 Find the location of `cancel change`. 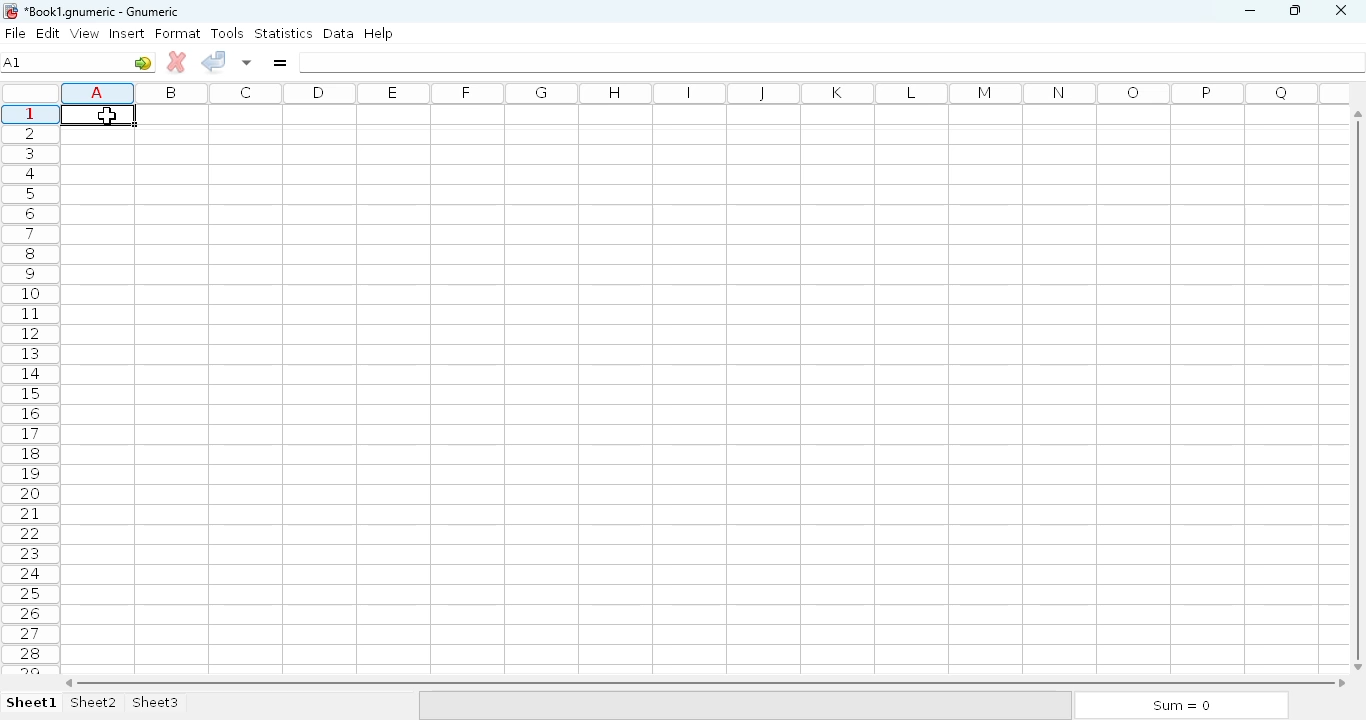

cancel change is located at coordinates (177, 62).